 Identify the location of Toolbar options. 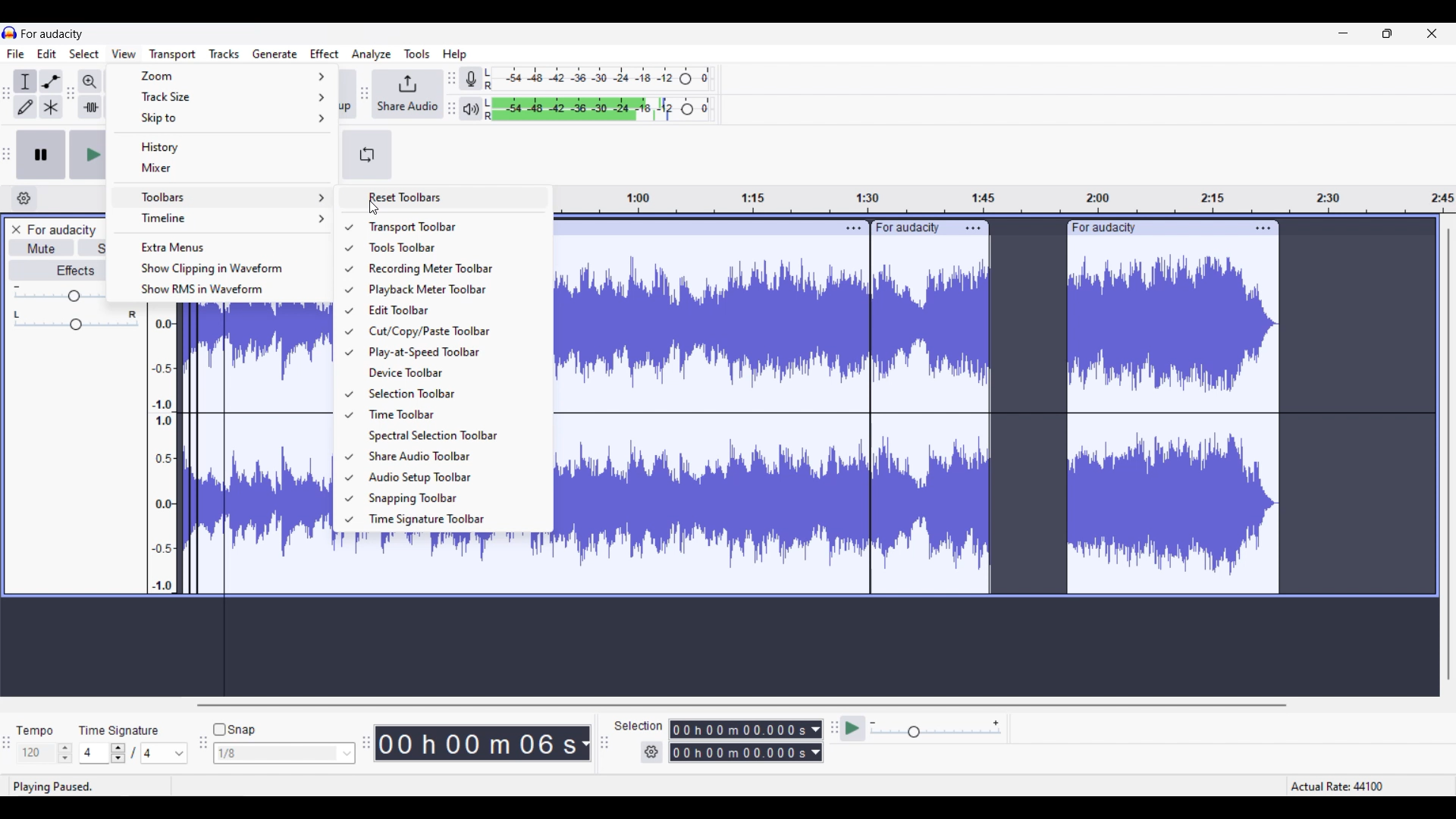
(222, 197).